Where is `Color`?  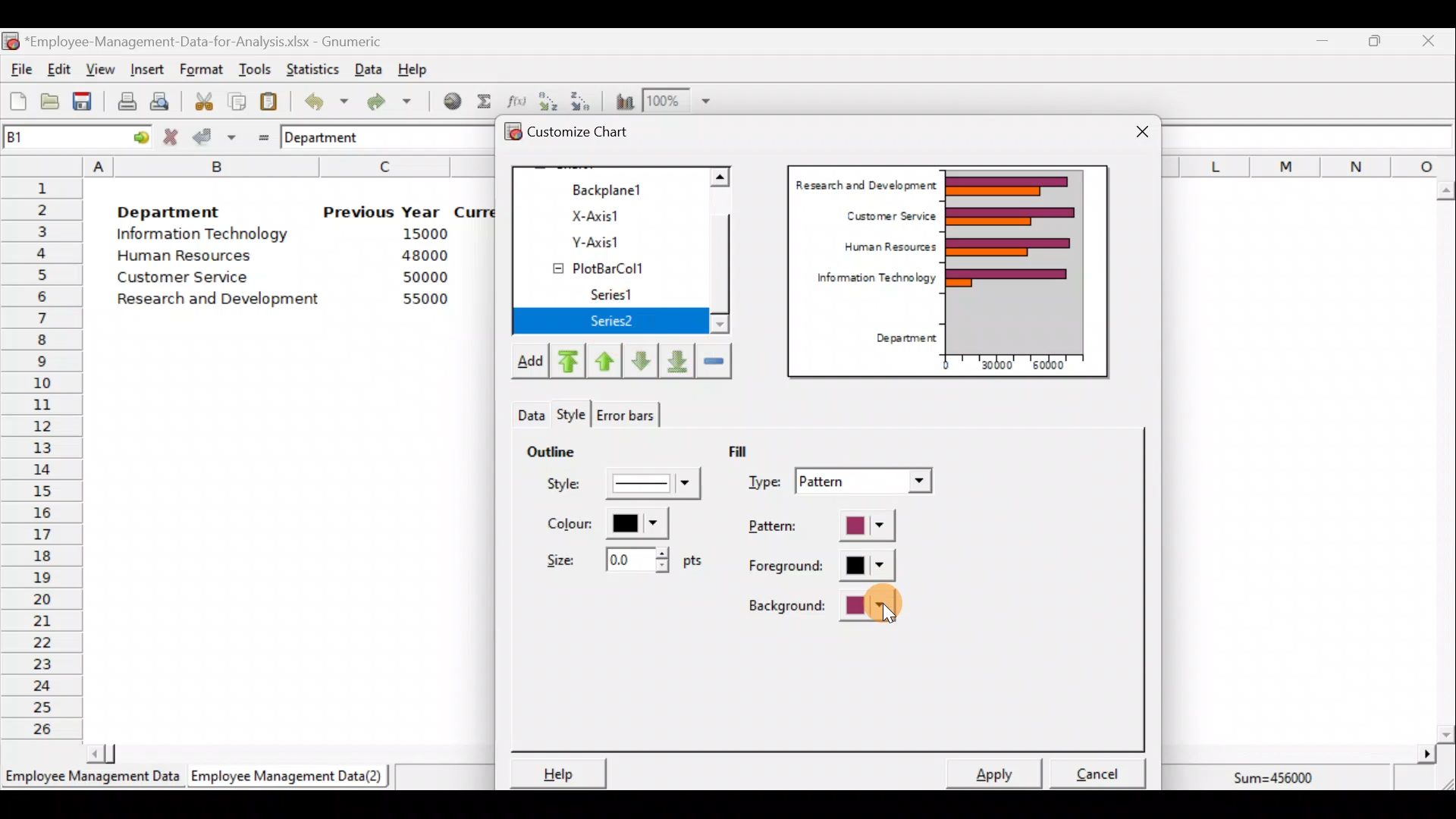 Color is located at coordinates (604, 523).